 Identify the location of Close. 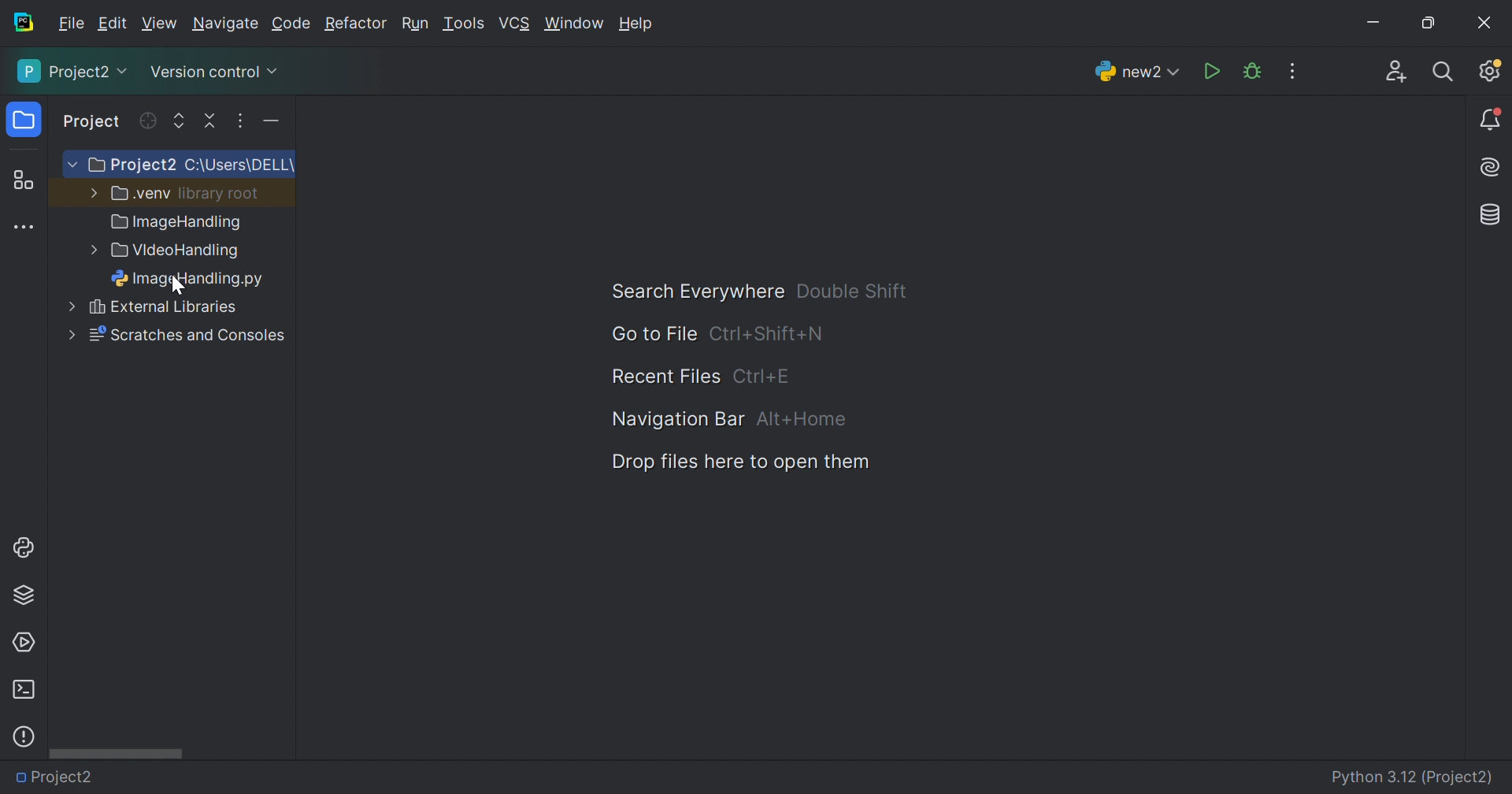
(1484, 23).